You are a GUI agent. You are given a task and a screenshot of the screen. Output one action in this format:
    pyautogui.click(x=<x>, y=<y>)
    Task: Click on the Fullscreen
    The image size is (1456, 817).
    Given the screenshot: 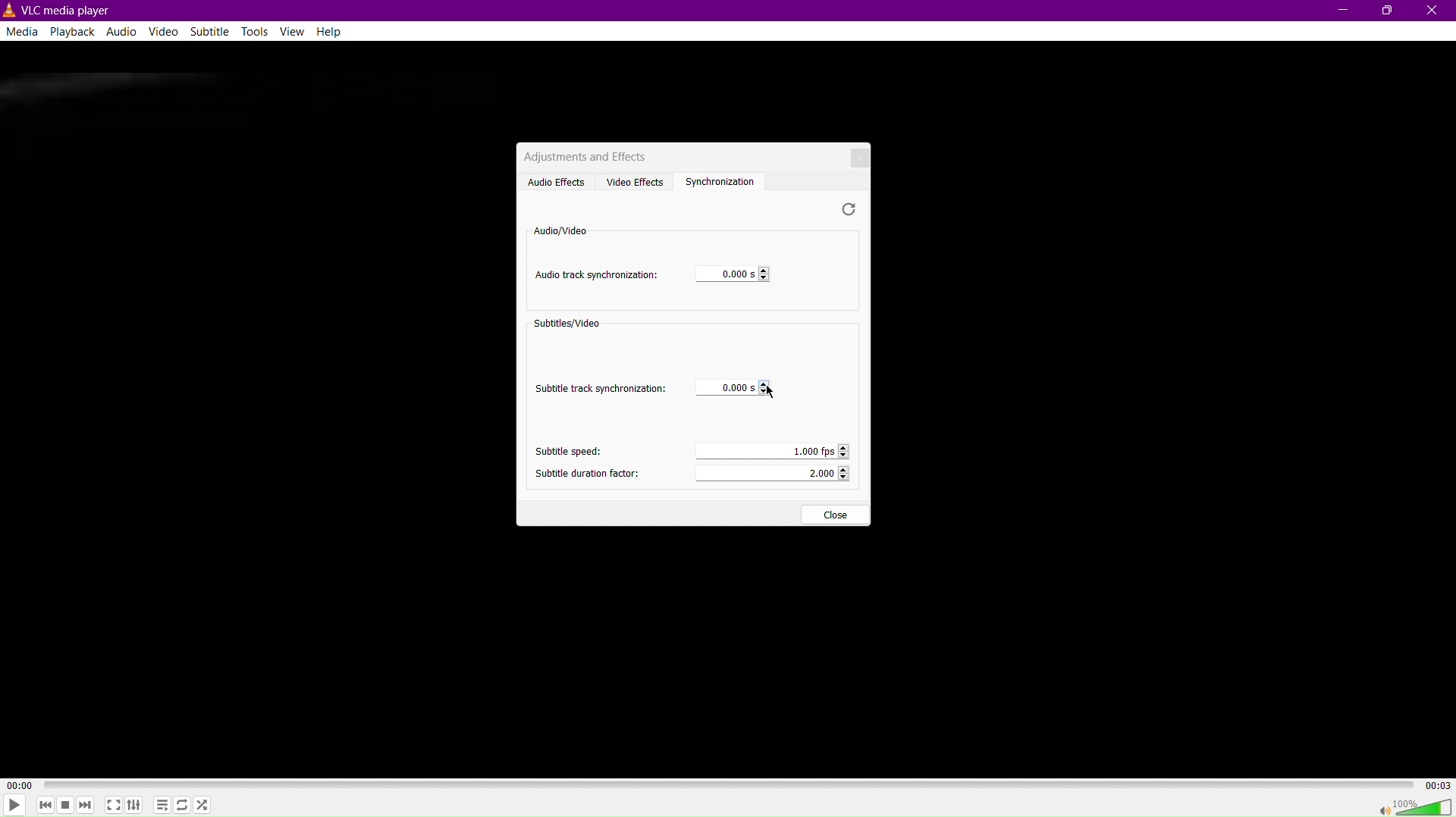 What is the action you would take?
    pyautogui.click(x=113, y=807)
    